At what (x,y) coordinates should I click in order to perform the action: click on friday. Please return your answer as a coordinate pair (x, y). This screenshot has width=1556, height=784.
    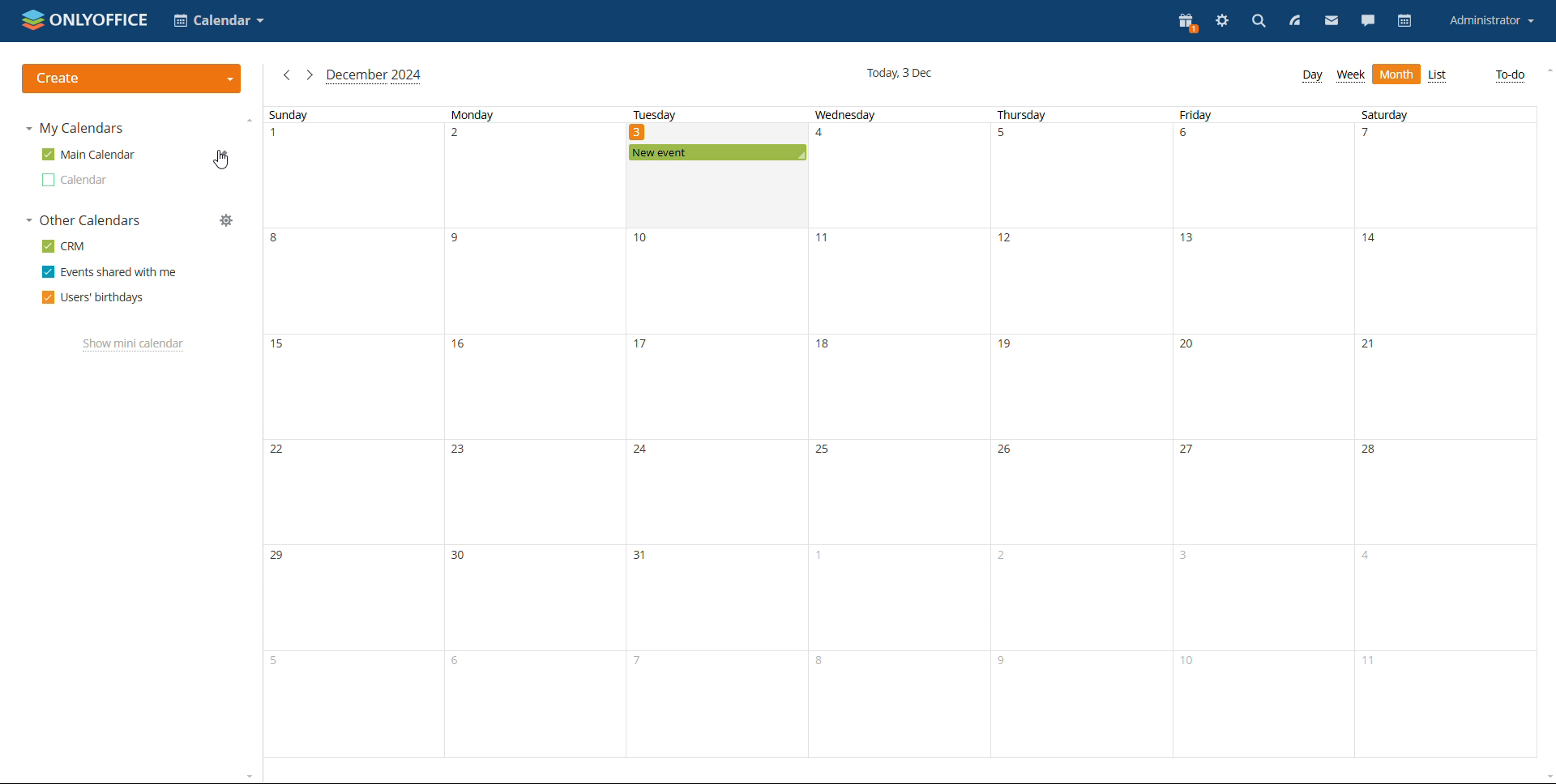
    Looking at the image, I should click on (1220, 115).